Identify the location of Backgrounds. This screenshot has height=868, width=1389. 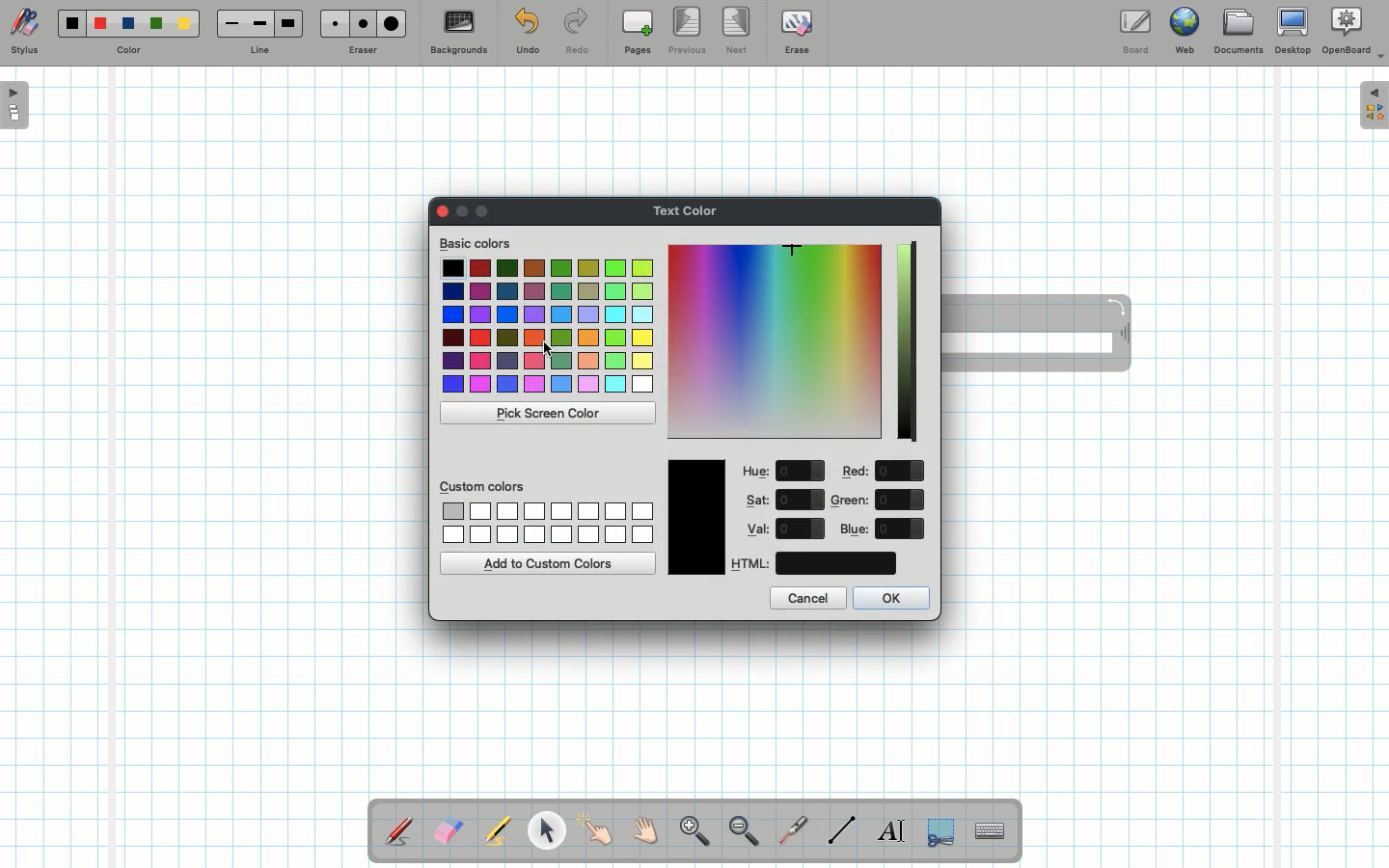
(458, 33).